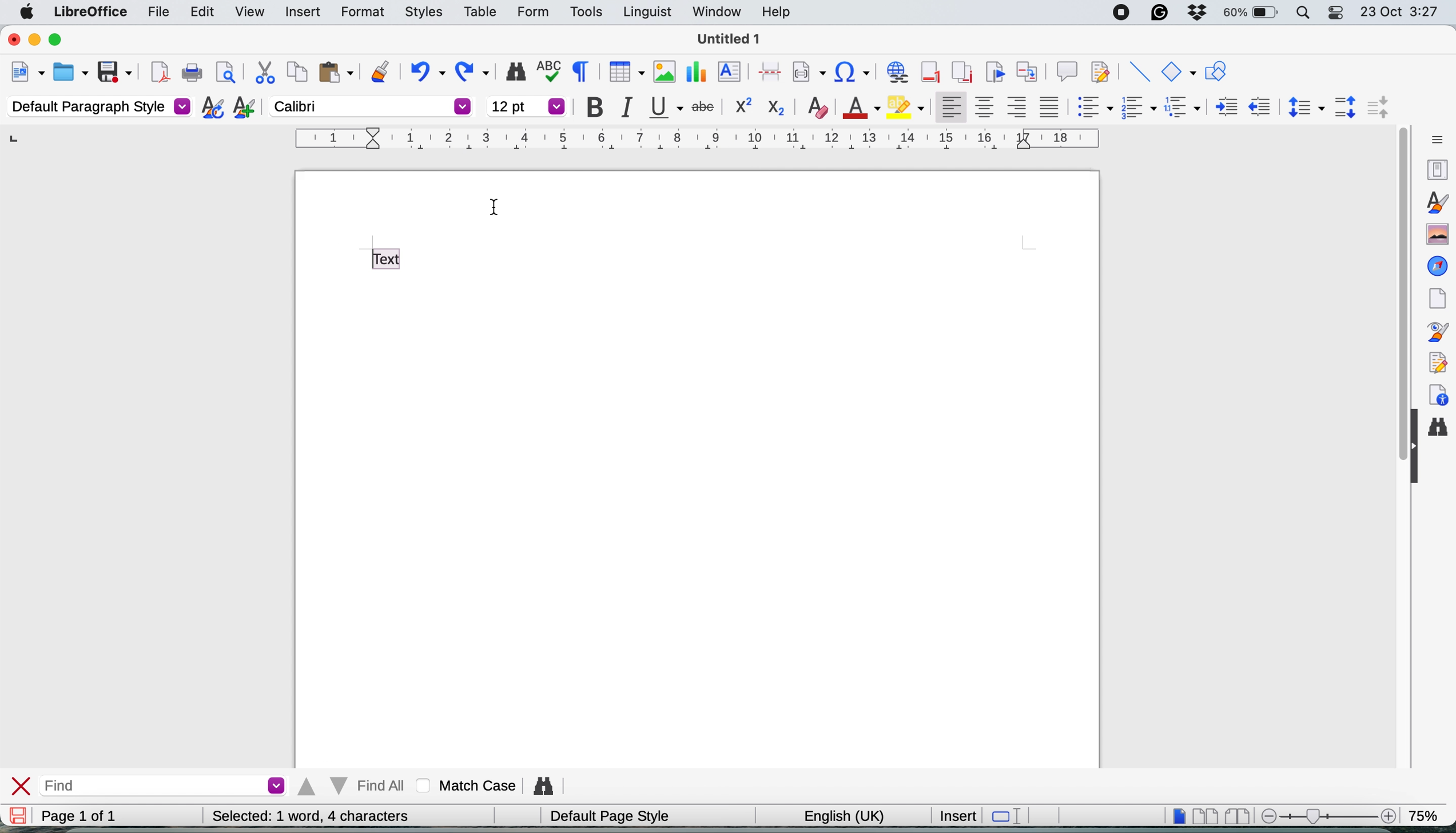 The width and height of the screenshot is (1456, 833). I want to click on find all, so click(350, 786).